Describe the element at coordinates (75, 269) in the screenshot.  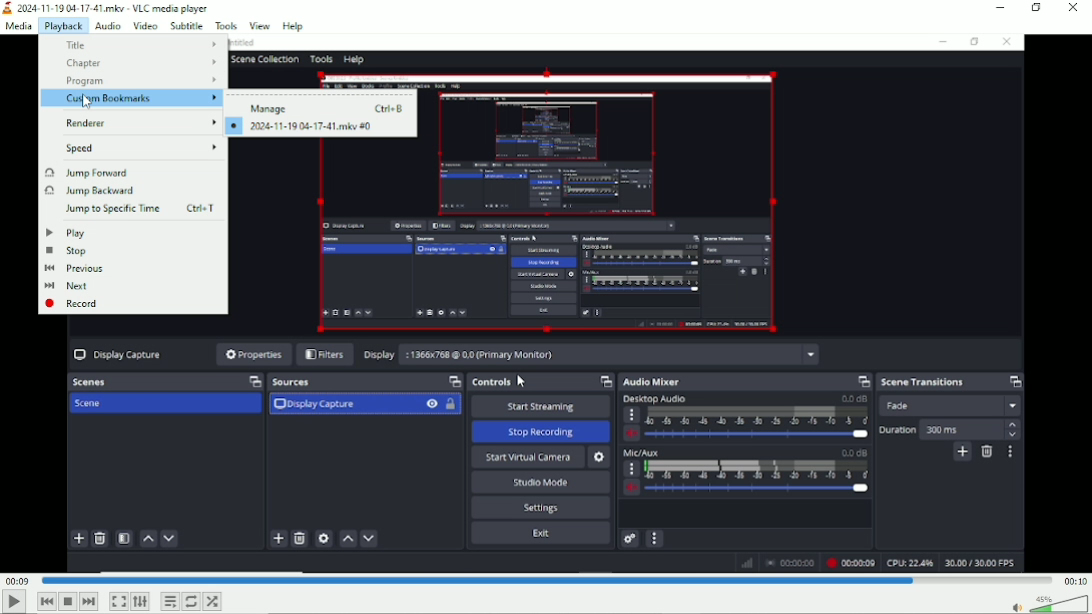
I see `Previous` at that location.